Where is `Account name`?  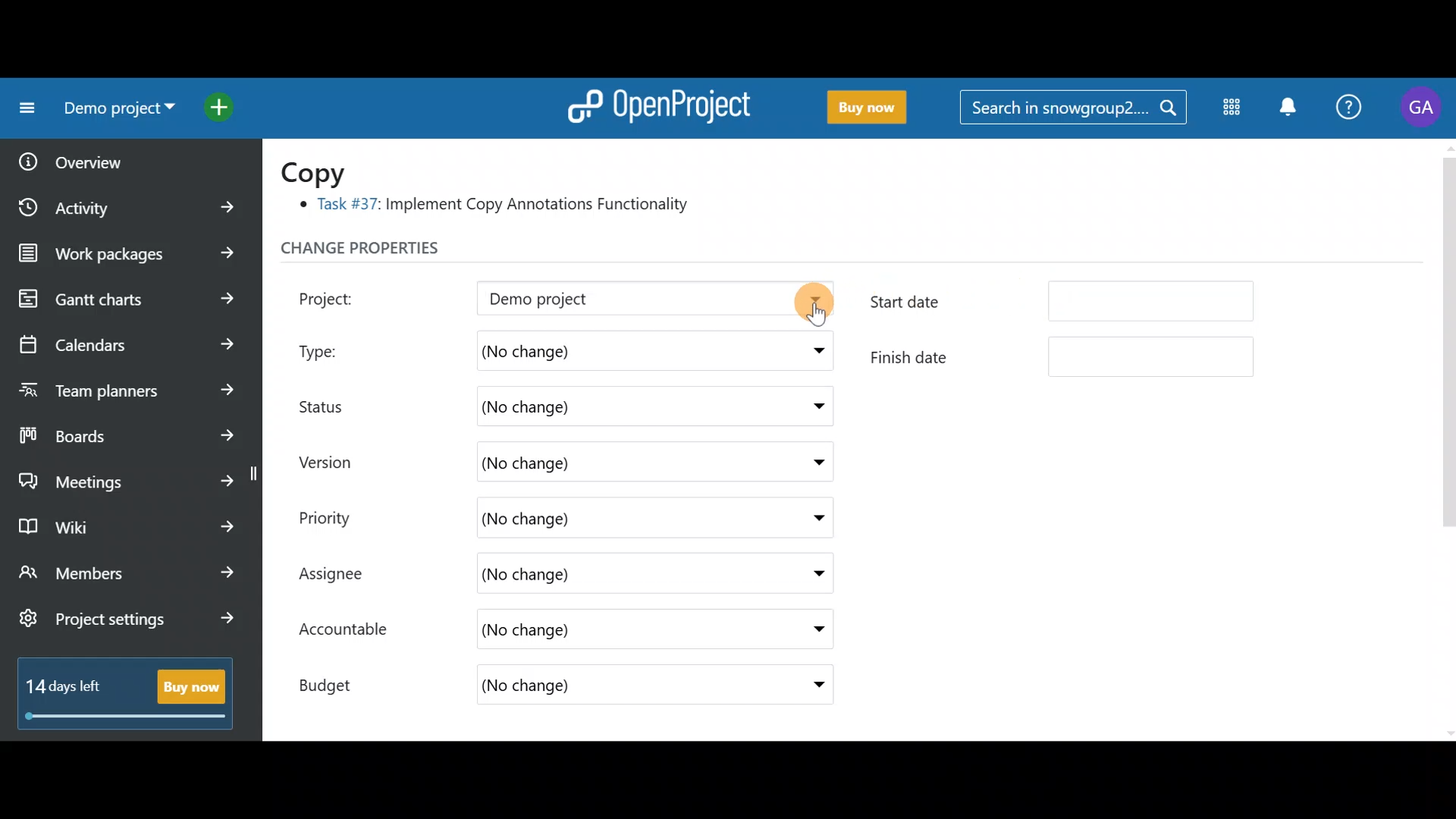 Account name is located at coordinates (1421, 108).